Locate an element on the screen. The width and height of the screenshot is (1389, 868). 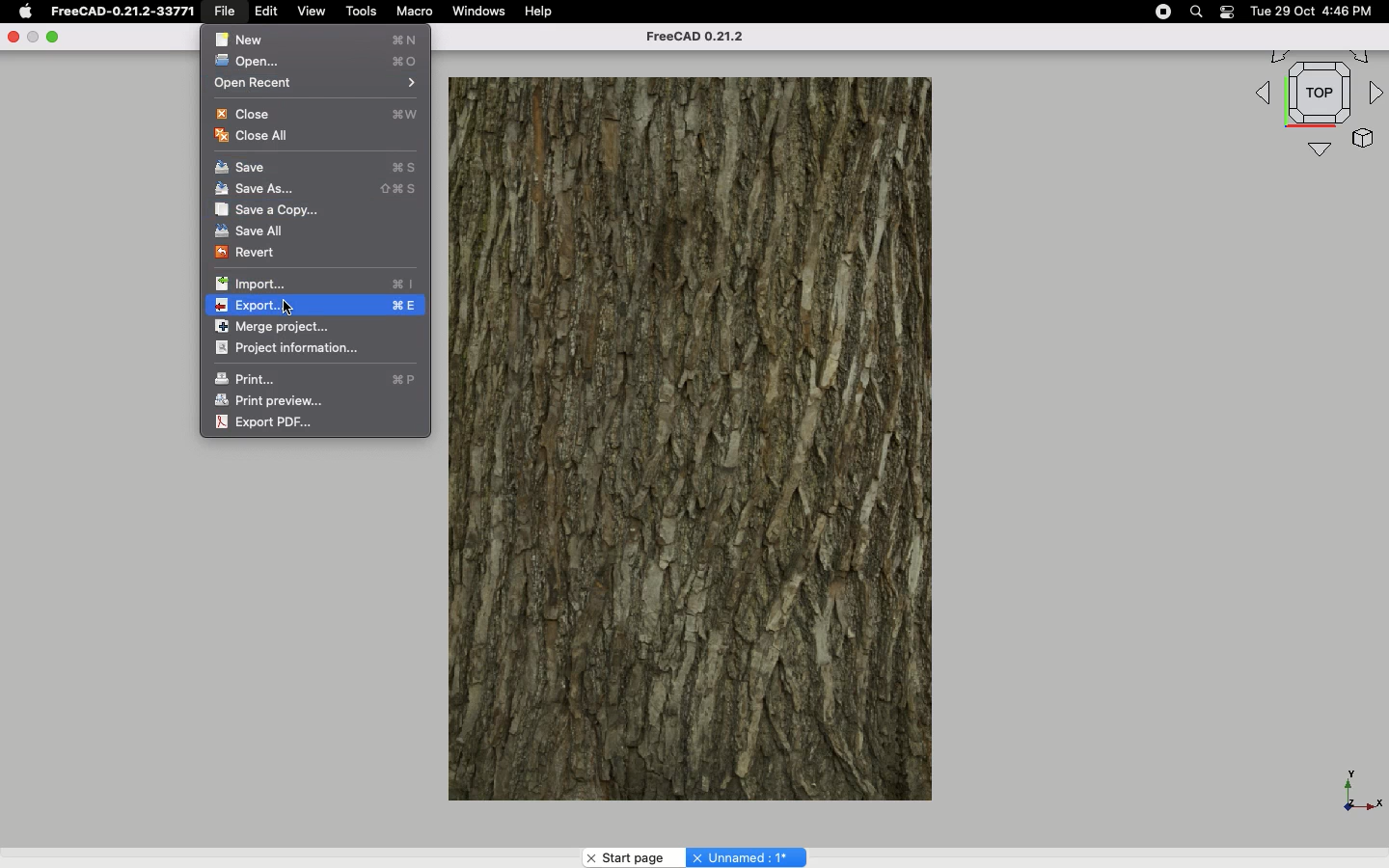
 is located at coordinates (898, 10).